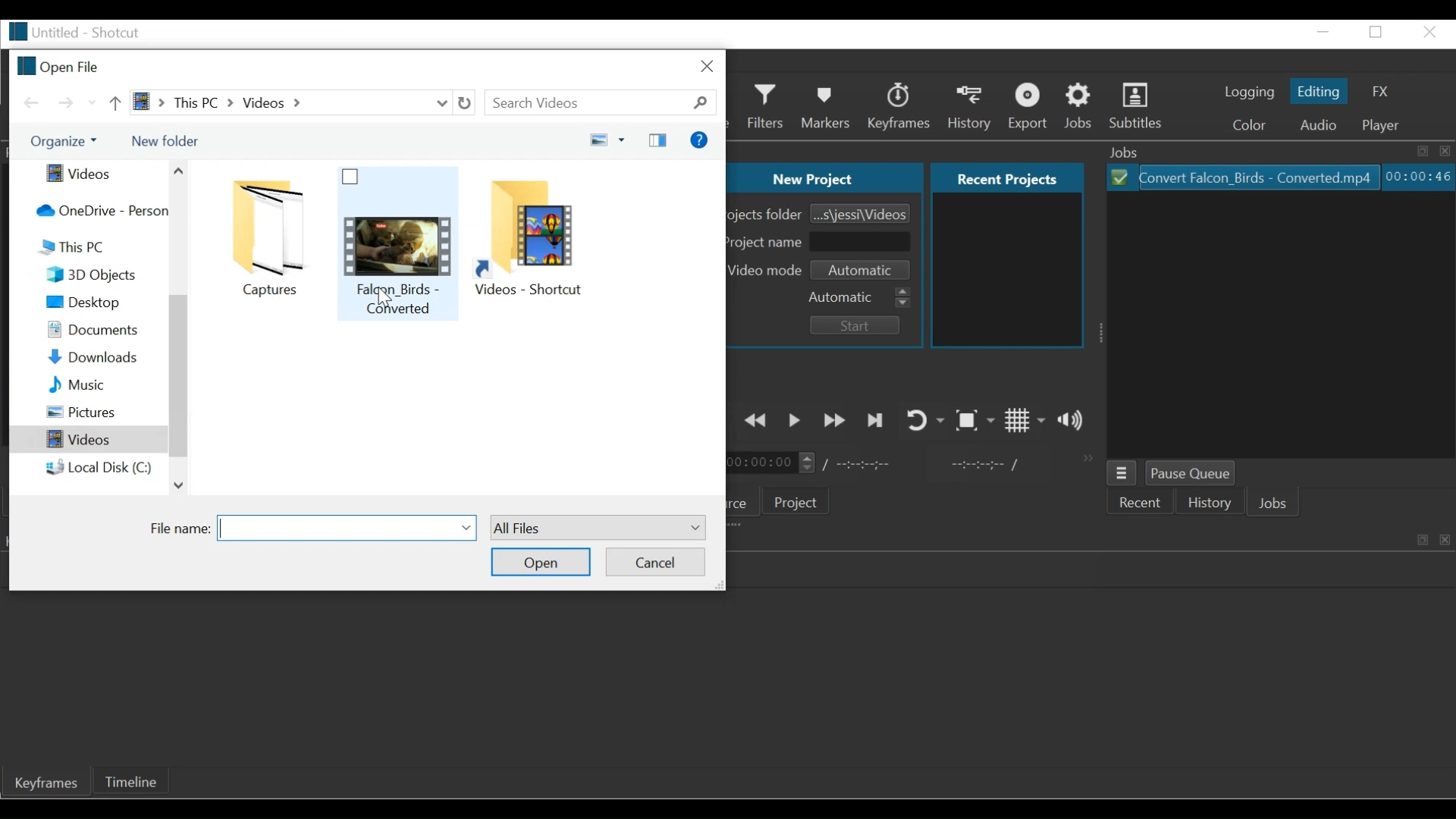 The width and height of the screenshot is (1456, 819). What do you see at coordinates (1323, 32) in the screenshot?
I see `minimize` at bounding box center [1323, 32].